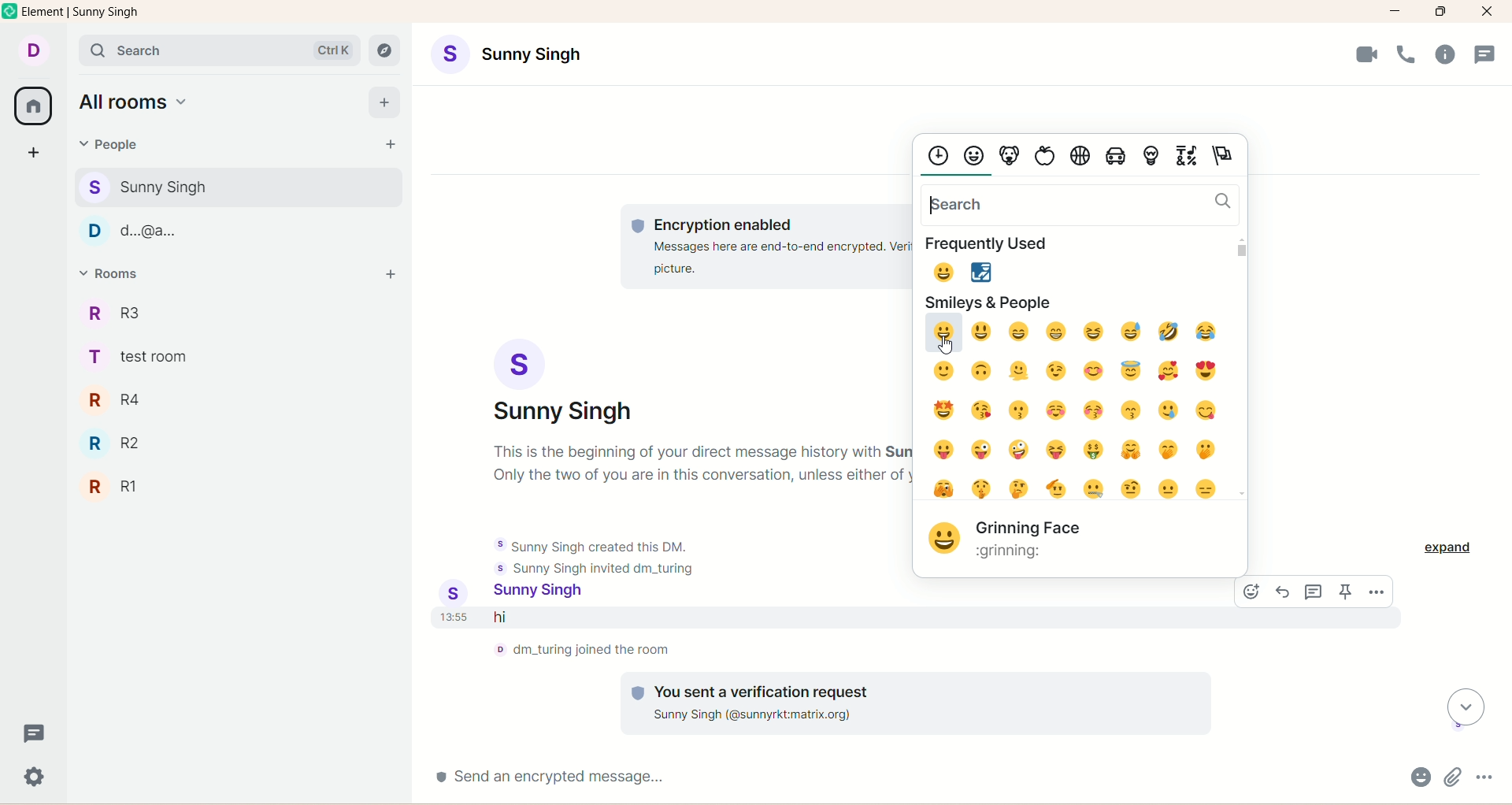 The height and width of the screenshot is (805, 1512). I want to click on add, so click(389, 276).